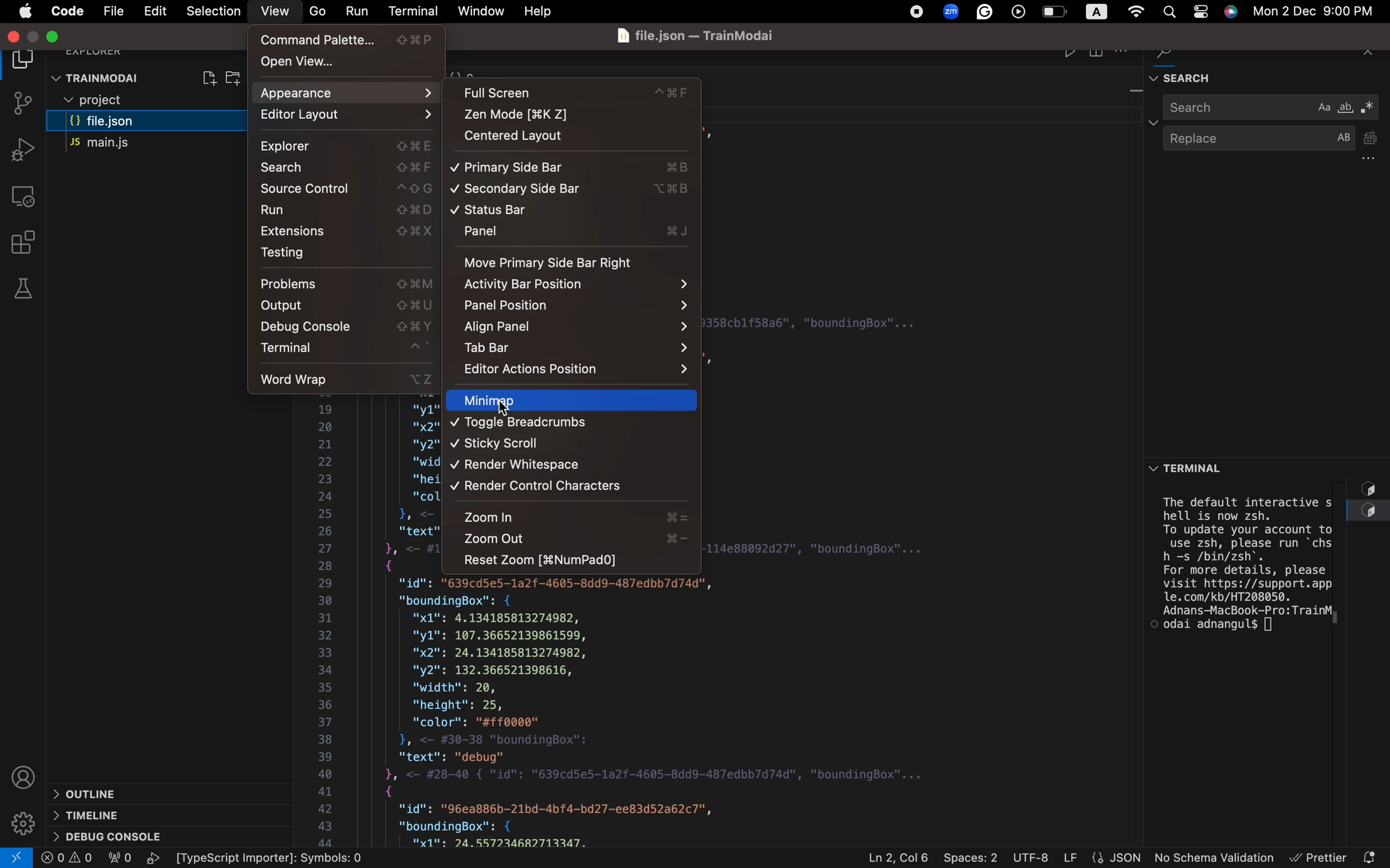 This screenshot has height=868, width=1390. Describe the element at coordinates (348, 232) in the screenshot. I see `Extension ` at that location.